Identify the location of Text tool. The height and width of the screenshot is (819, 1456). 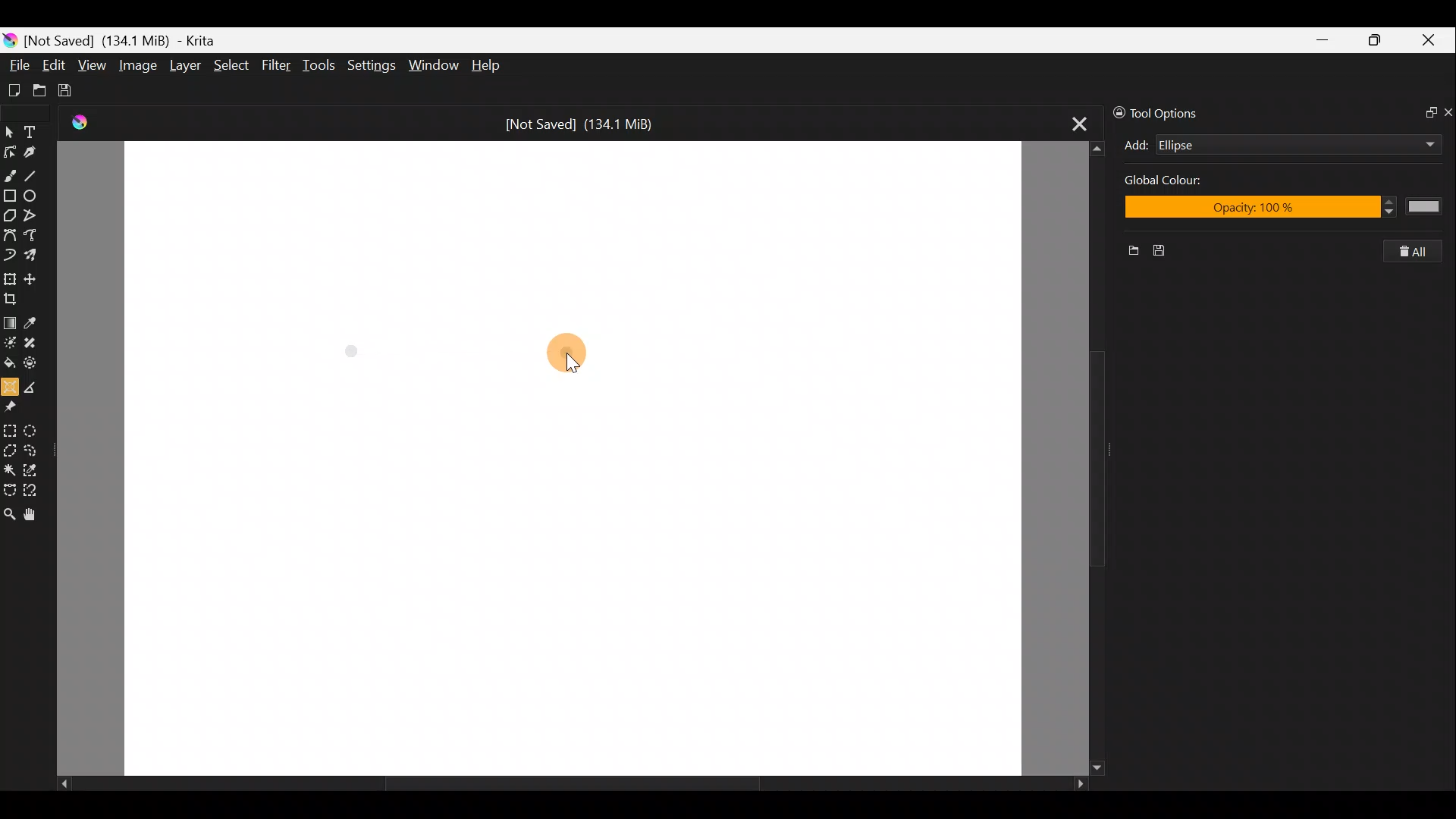
(33, 129).